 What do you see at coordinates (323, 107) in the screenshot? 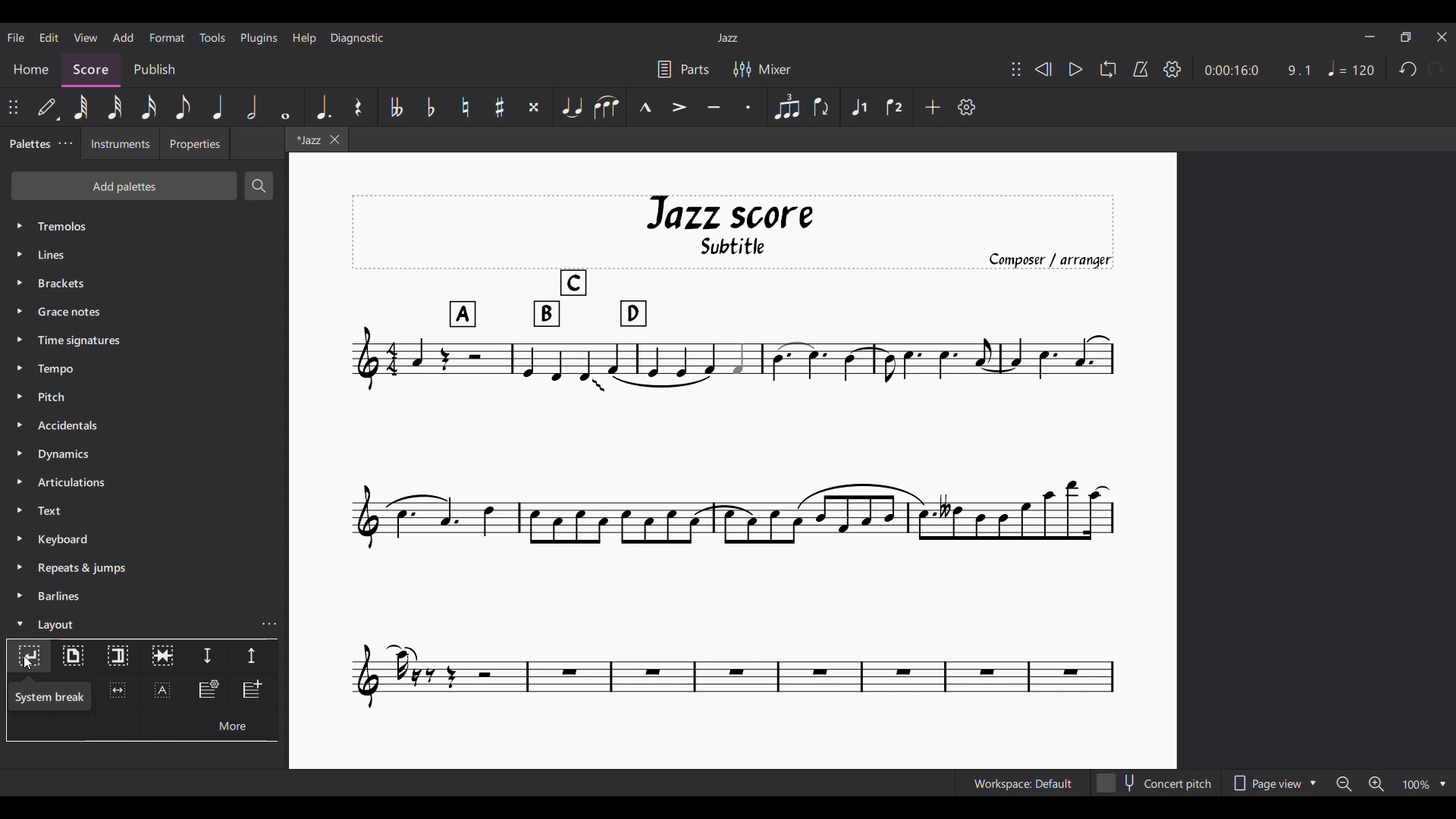
I see `Augmentation dot` at bounding box center [323, 107].